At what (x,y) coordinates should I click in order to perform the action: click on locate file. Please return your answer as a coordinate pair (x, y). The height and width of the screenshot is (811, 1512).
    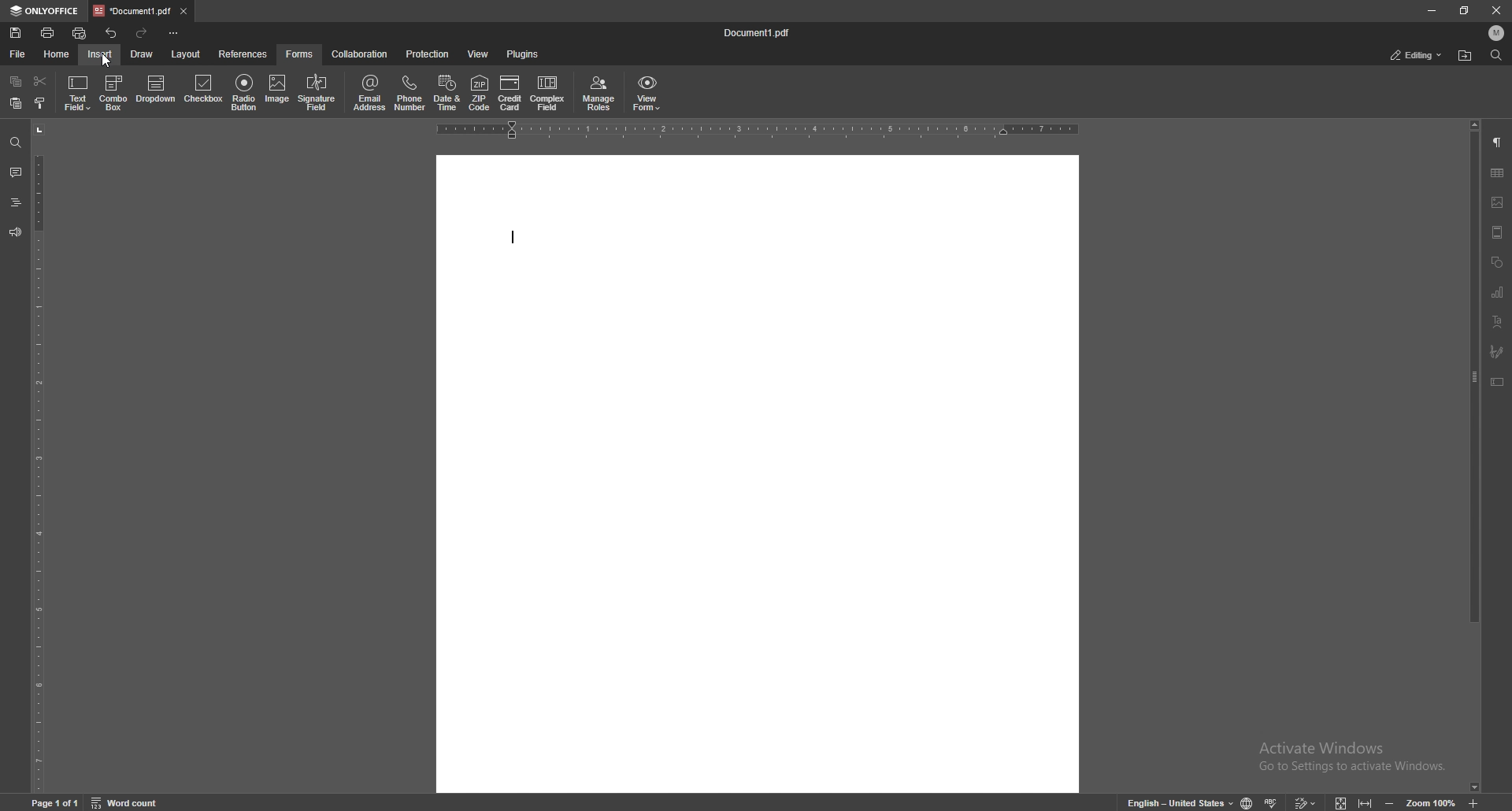
    Looking at the image, I should click on (1466, 55).